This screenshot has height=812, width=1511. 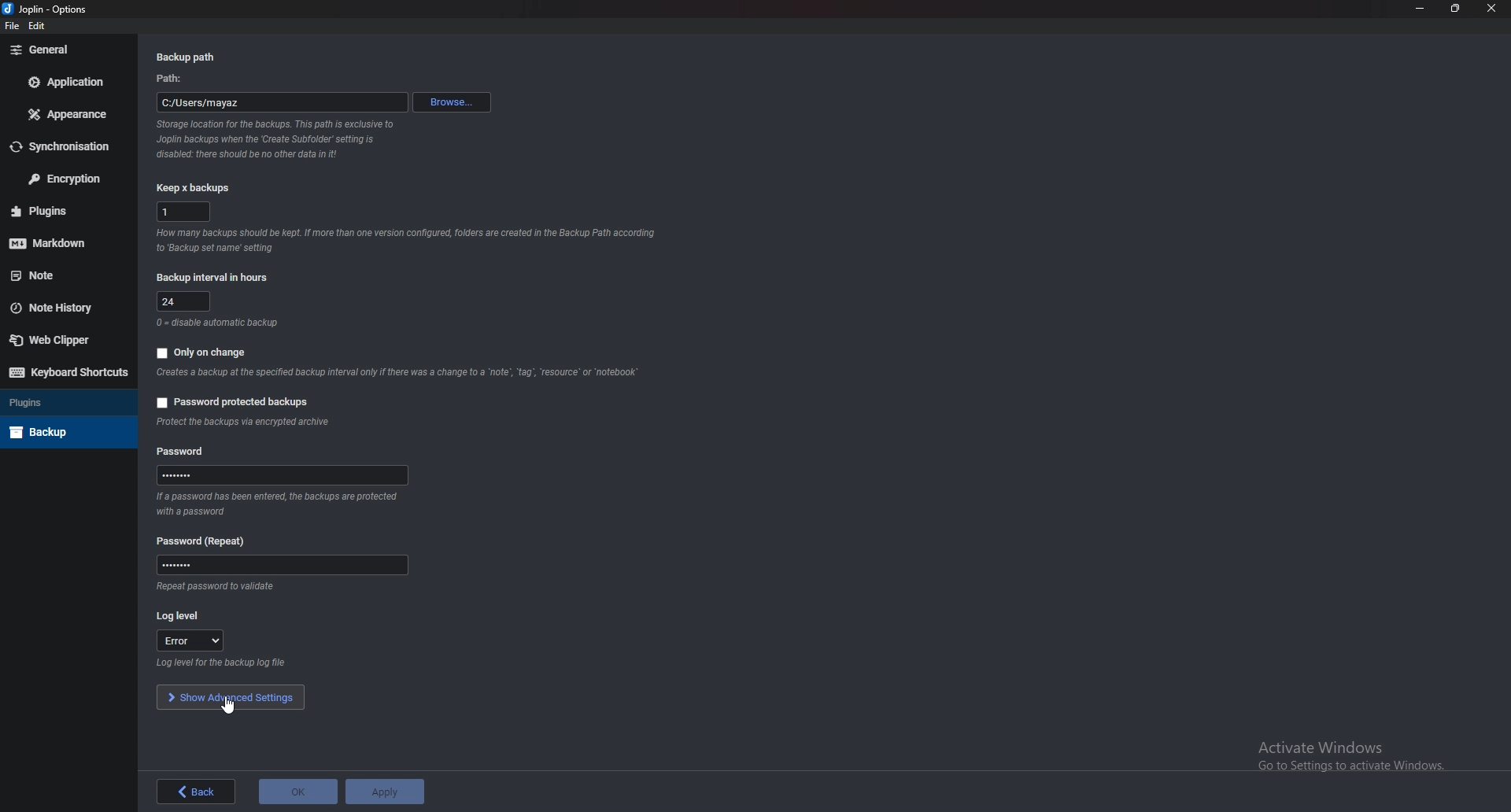 I want to click on Keep X backups, so click(x=191, y=190).